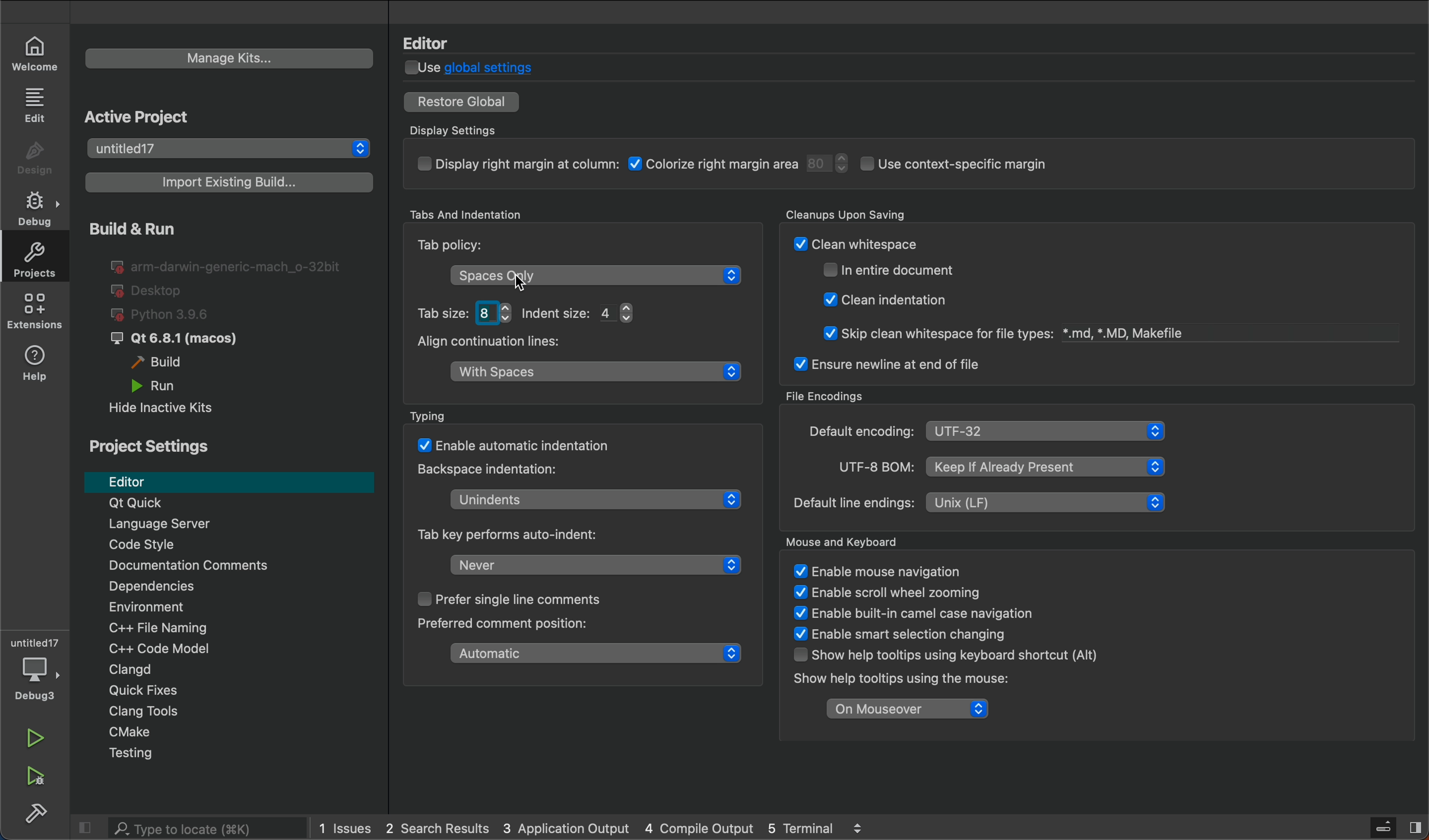  Describe the element at coordinates (503, 625) in the screenshot. I see `preferend comment` at that location.